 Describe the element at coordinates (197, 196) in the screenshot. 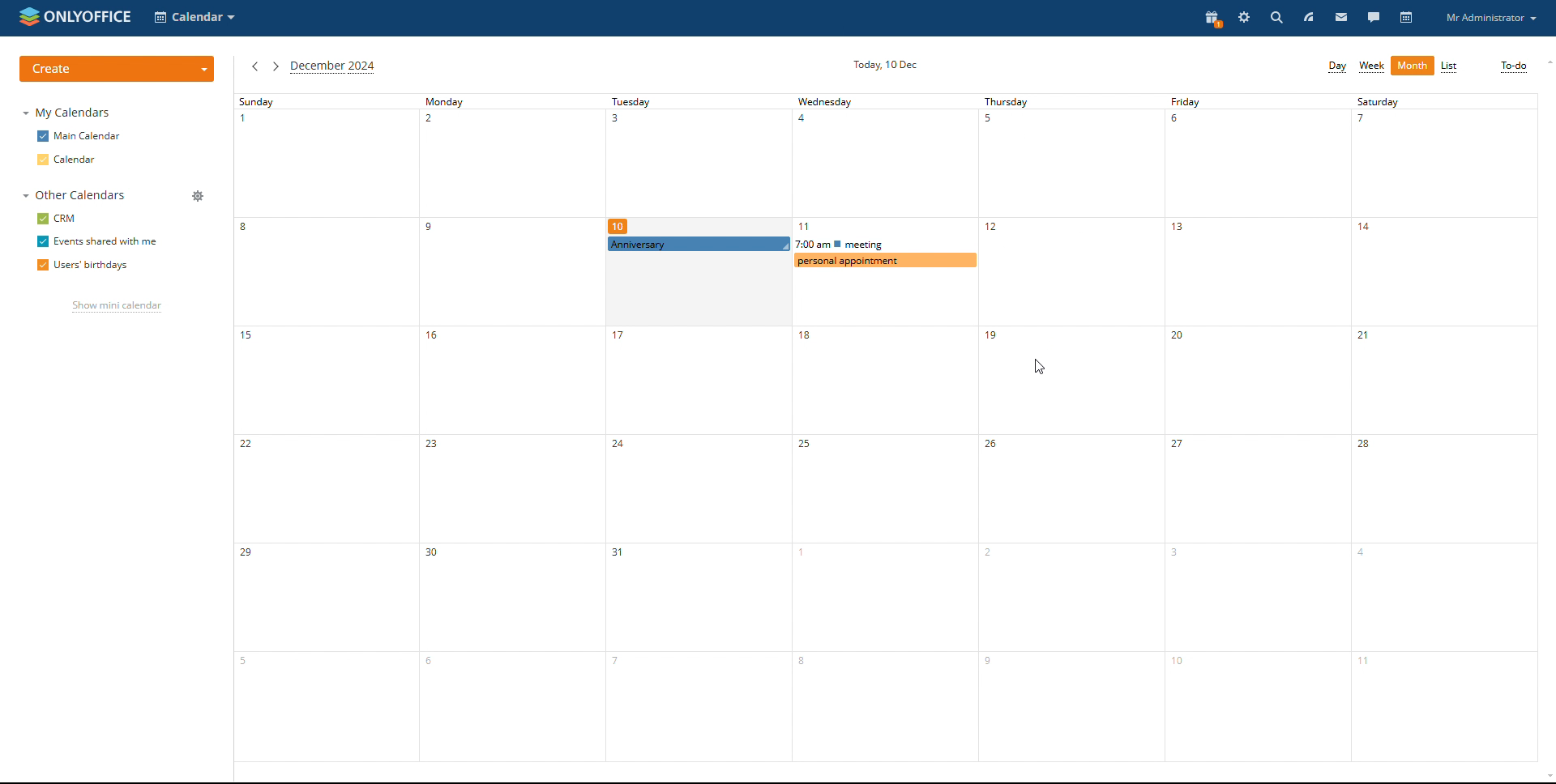

I see `manage` at that location.